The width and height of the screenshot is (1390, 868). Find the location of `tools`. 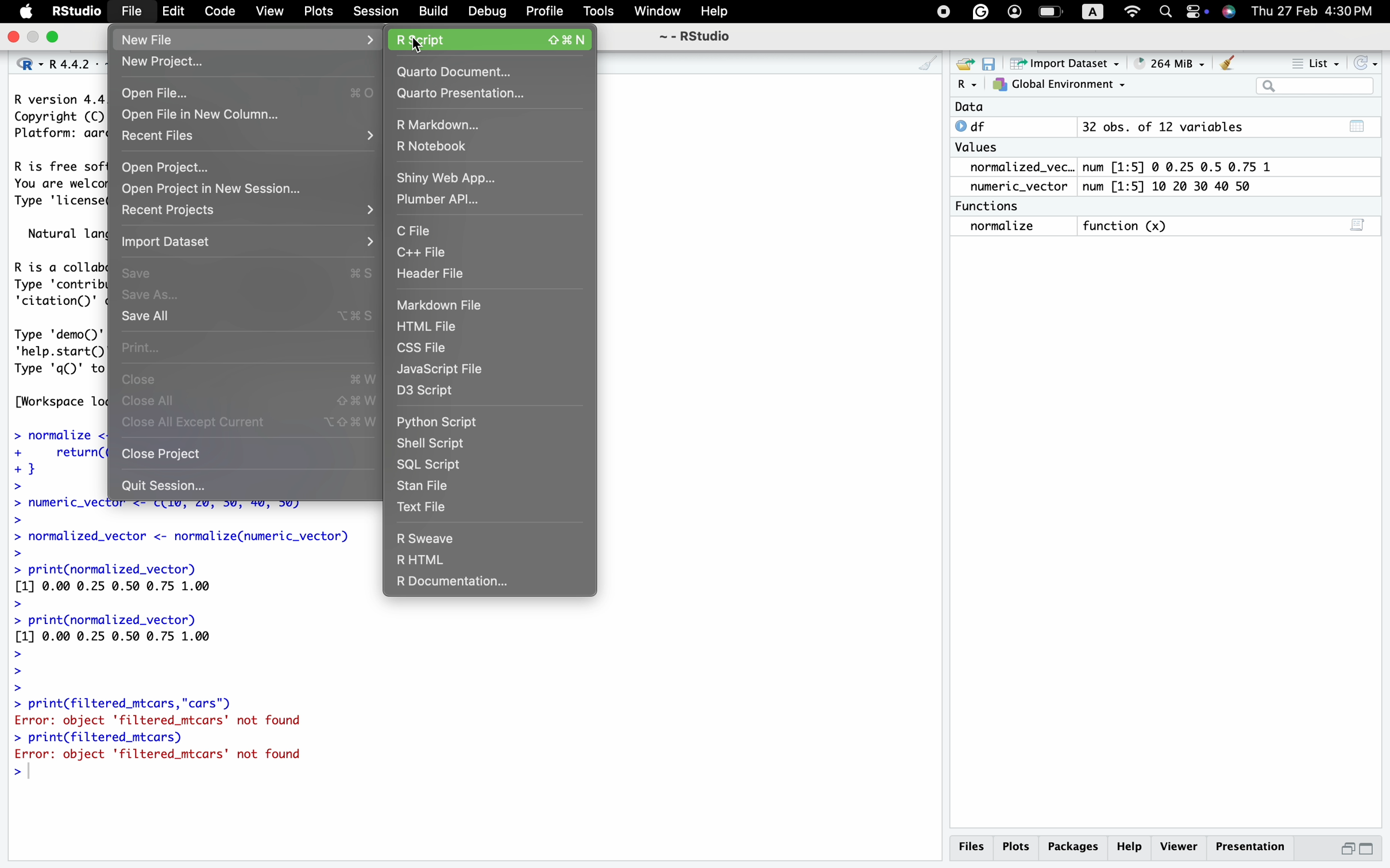

tools is located at coordinates (600, 11).